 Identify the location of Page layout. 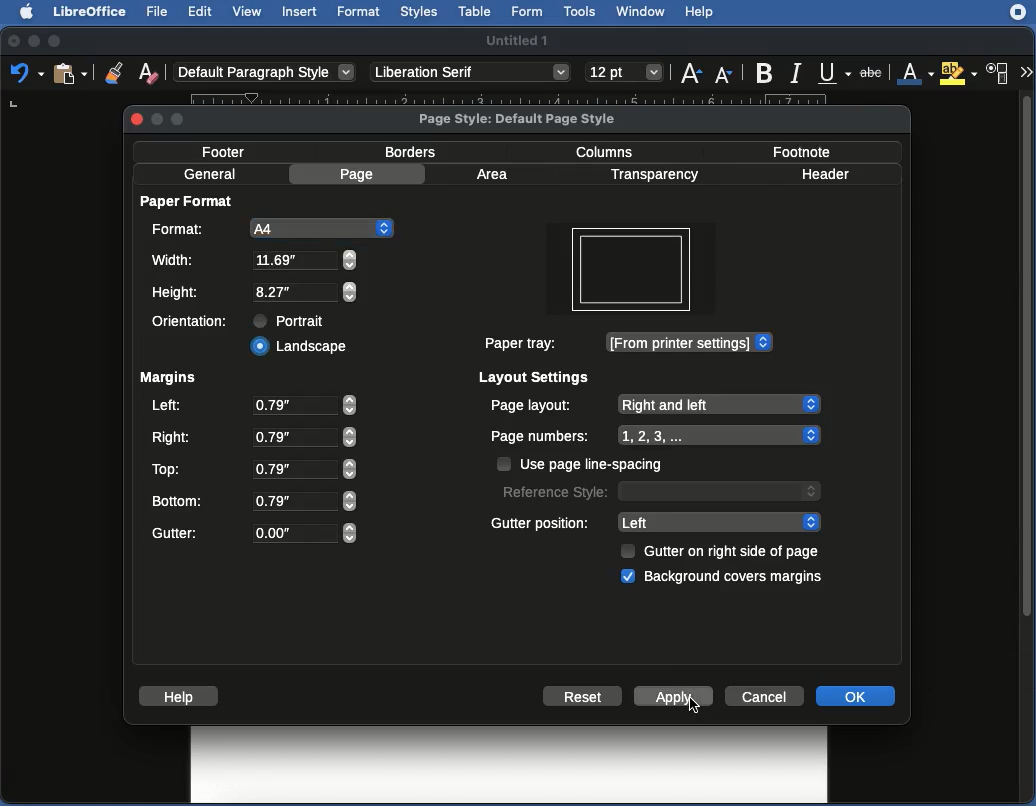
(655, 405).